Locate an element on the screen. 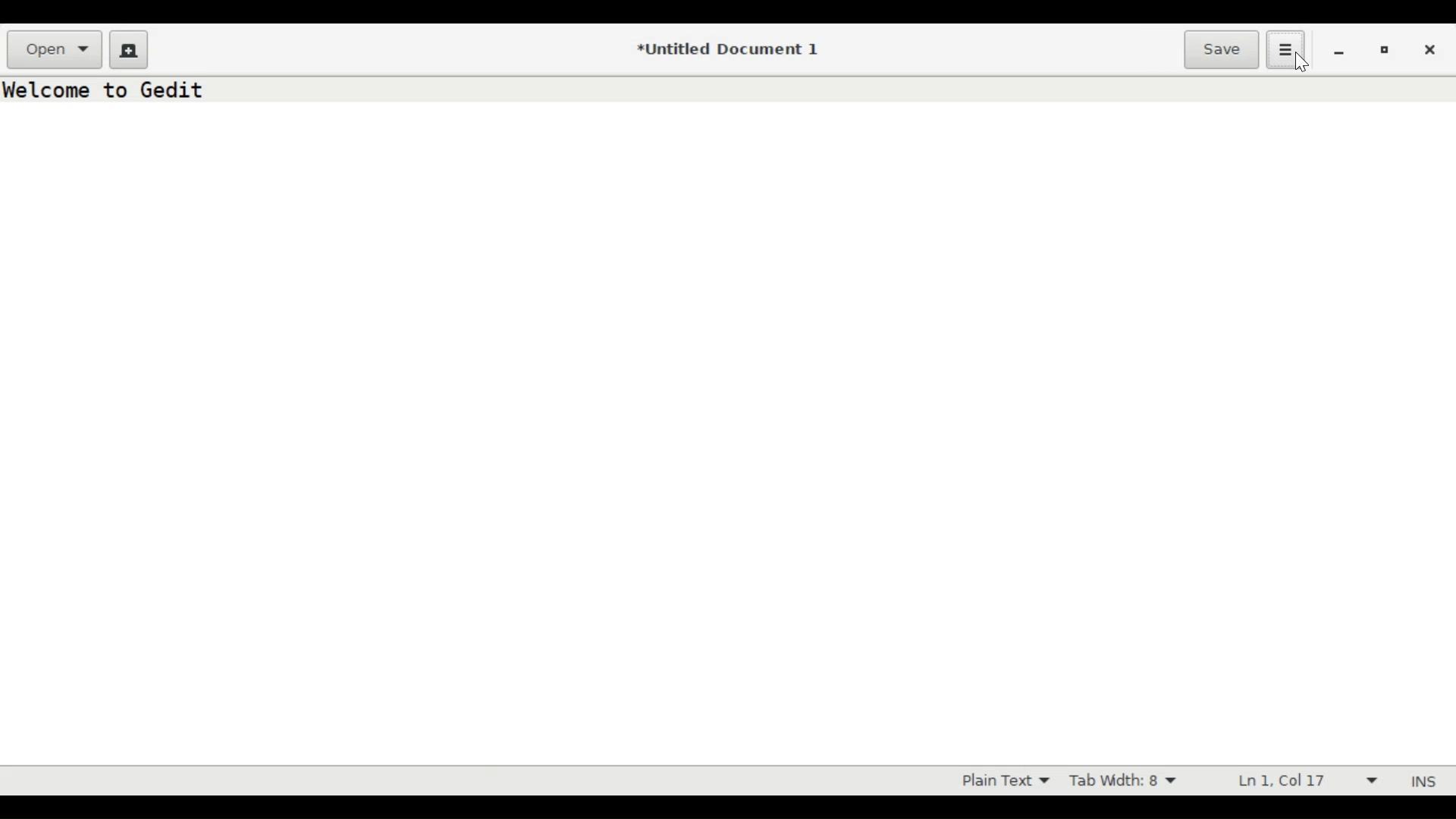 The image size is (1456, 819). *Untitled Document 1 is located at coordinates (730, 50).